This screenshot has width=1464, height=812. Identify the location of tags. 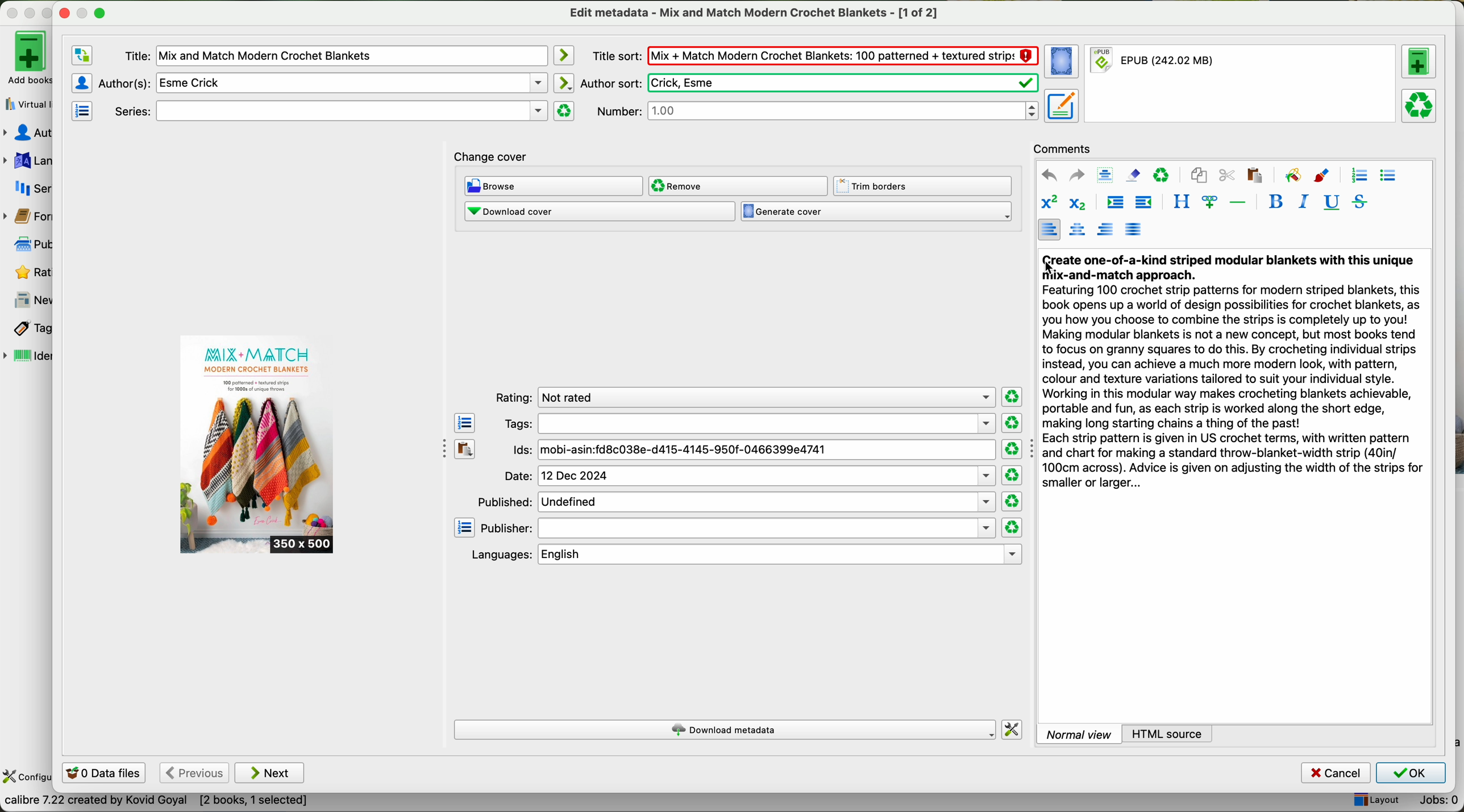
(27, 329).